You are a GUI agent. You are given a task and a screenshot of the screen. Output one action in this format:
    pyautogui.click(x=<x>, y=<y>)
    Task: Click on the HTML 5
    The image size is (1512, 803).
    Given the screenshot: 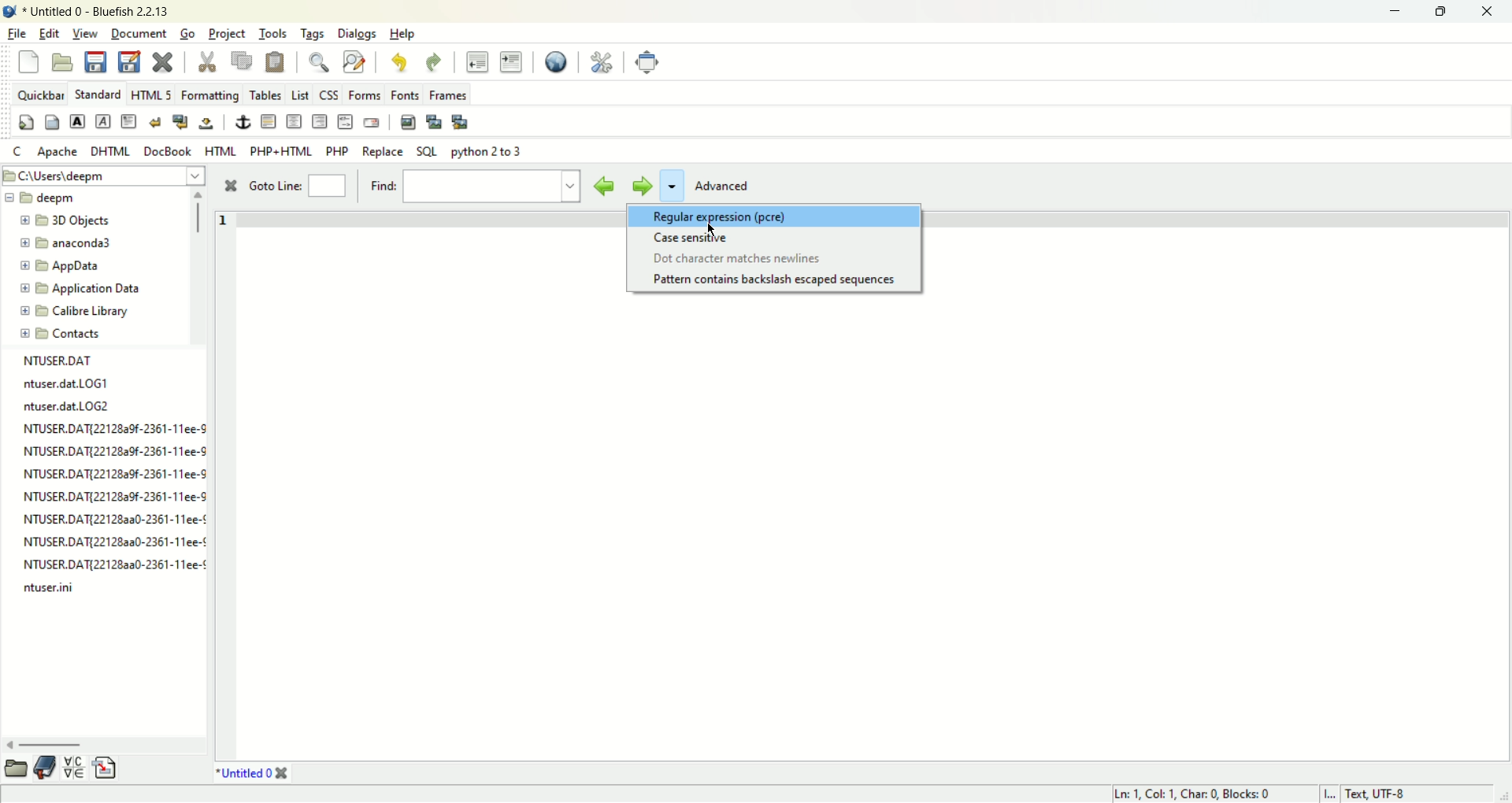 What is the action you would take?
    pyautogui.click(x=152, y=96)
    